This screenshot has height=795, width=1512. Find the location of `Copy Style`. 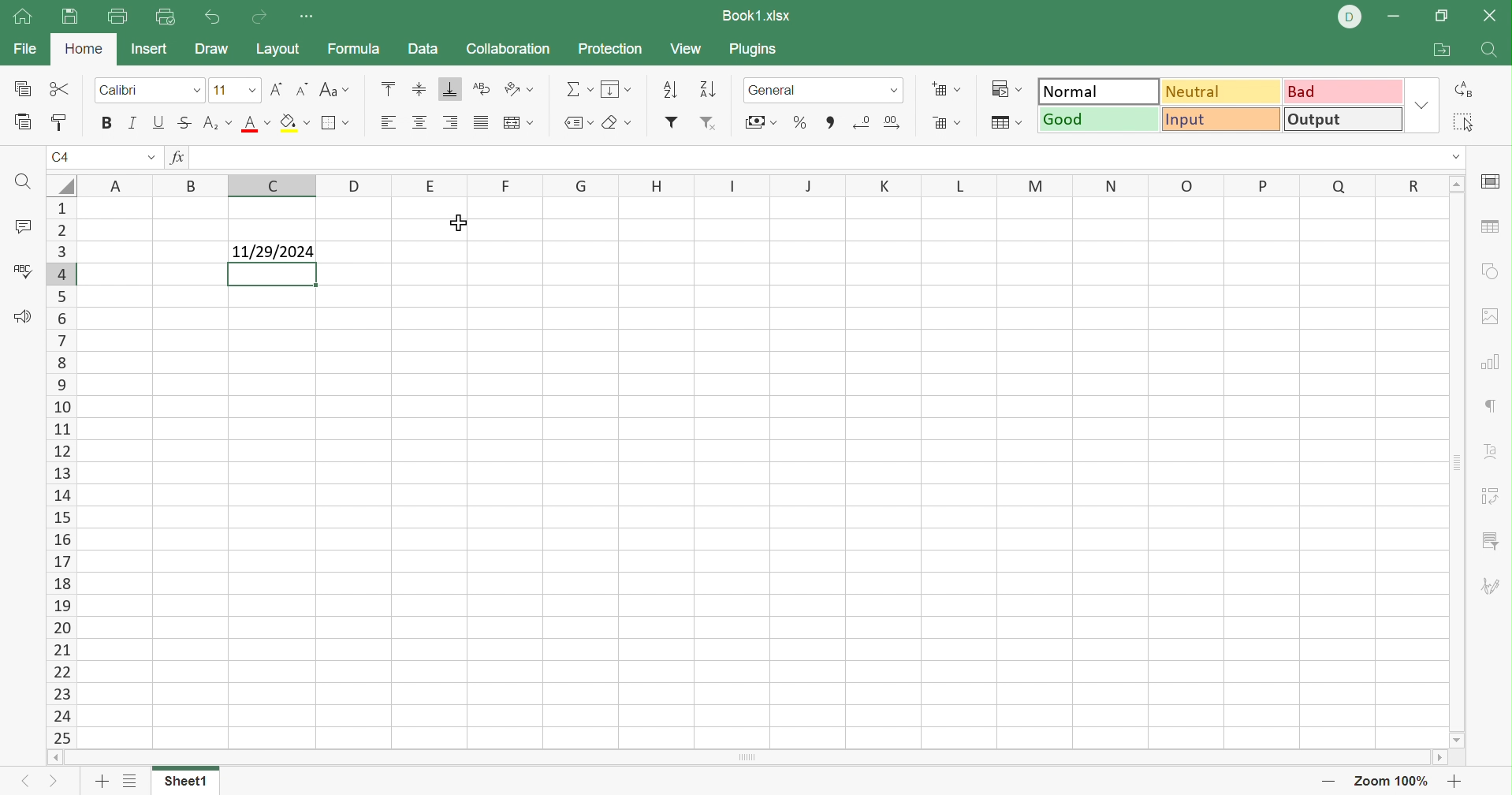

Copy Style is located at coordinates (60, 123).